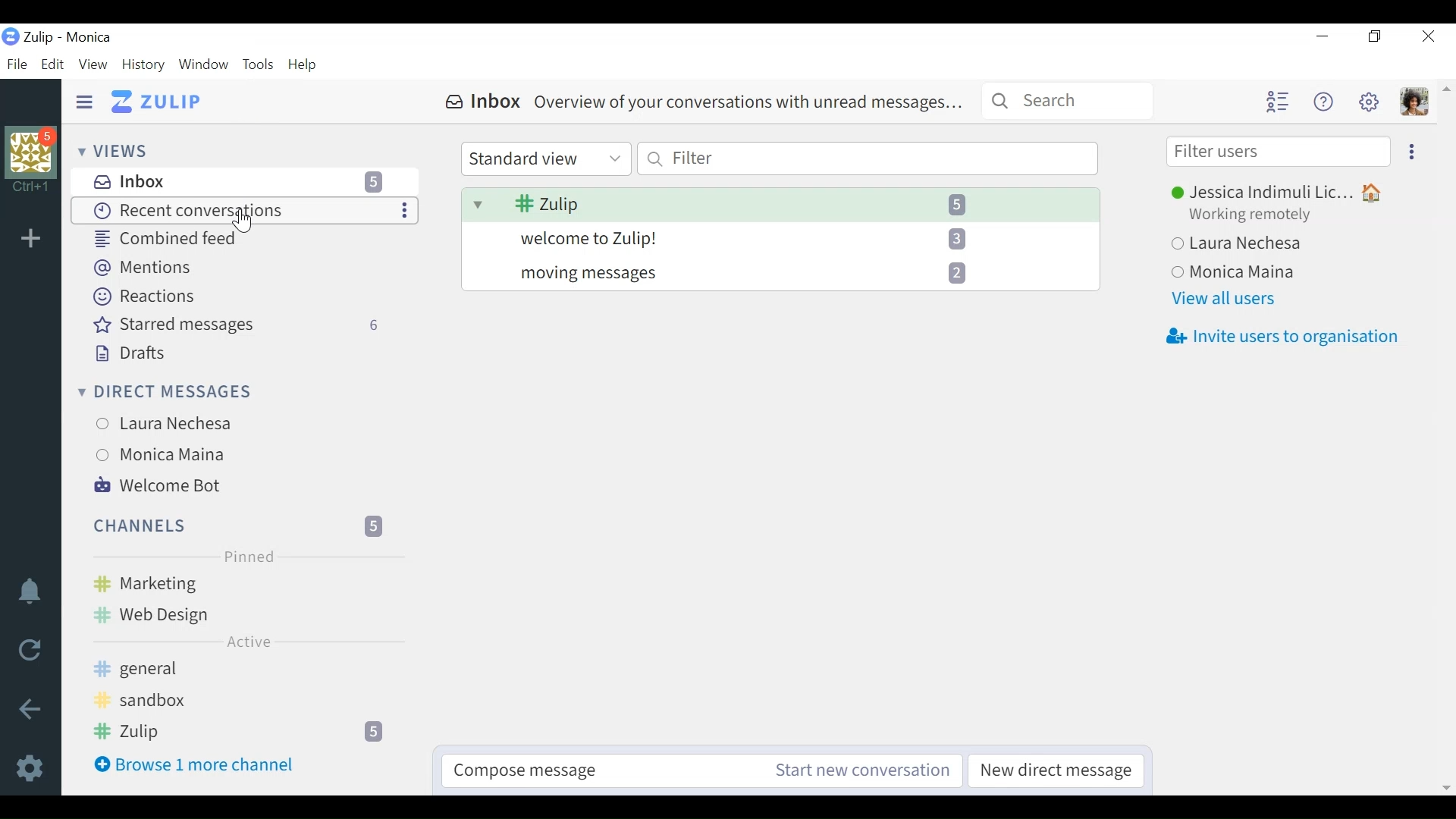 The height and width of the screenshot is (819, 1456). I want to click on Zulip - Monica, so click(75, 37).